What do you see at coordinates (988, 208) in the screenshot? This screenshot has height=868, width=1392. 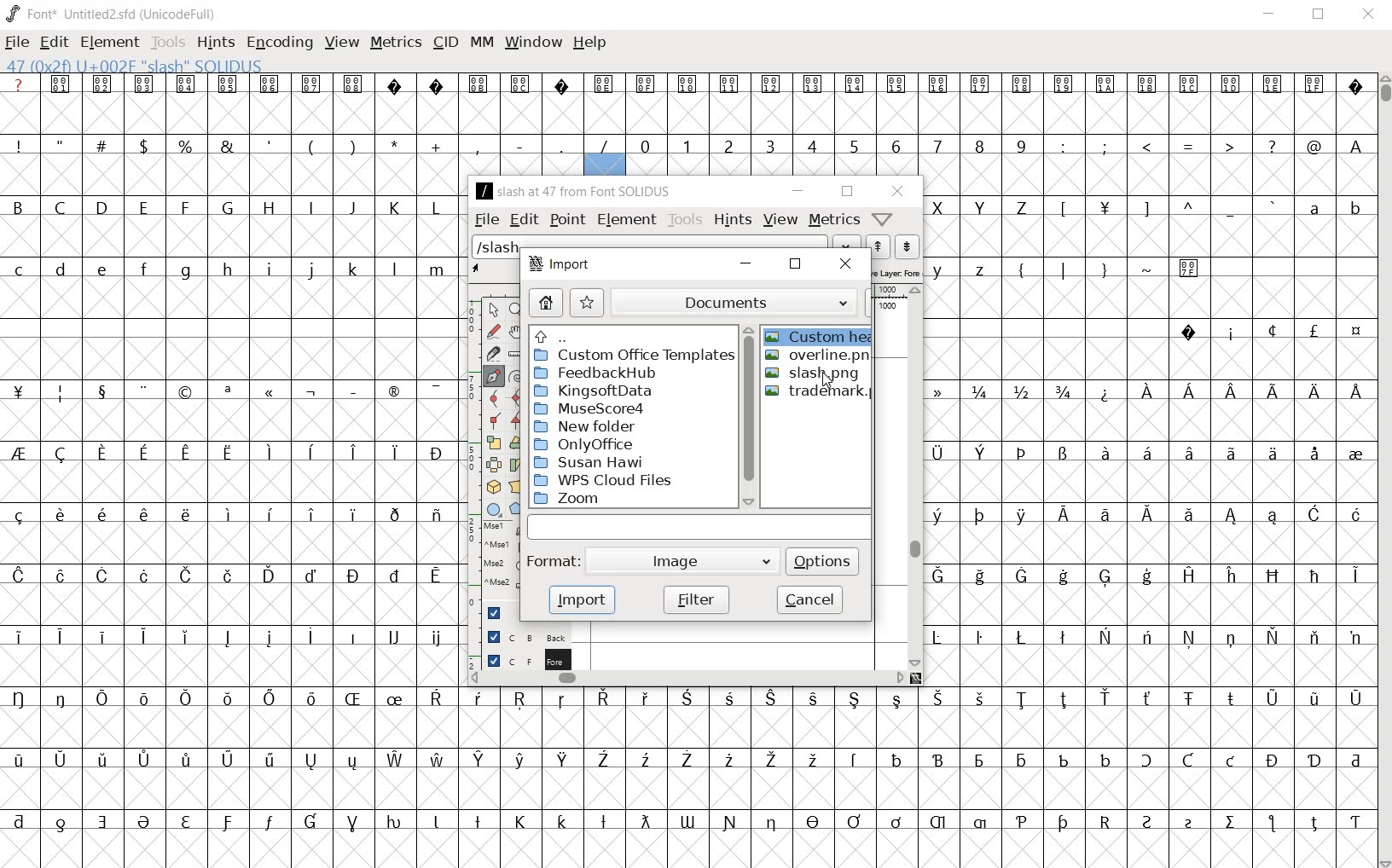 I see `capital letters X - Z` at bounding box center [988, 208].